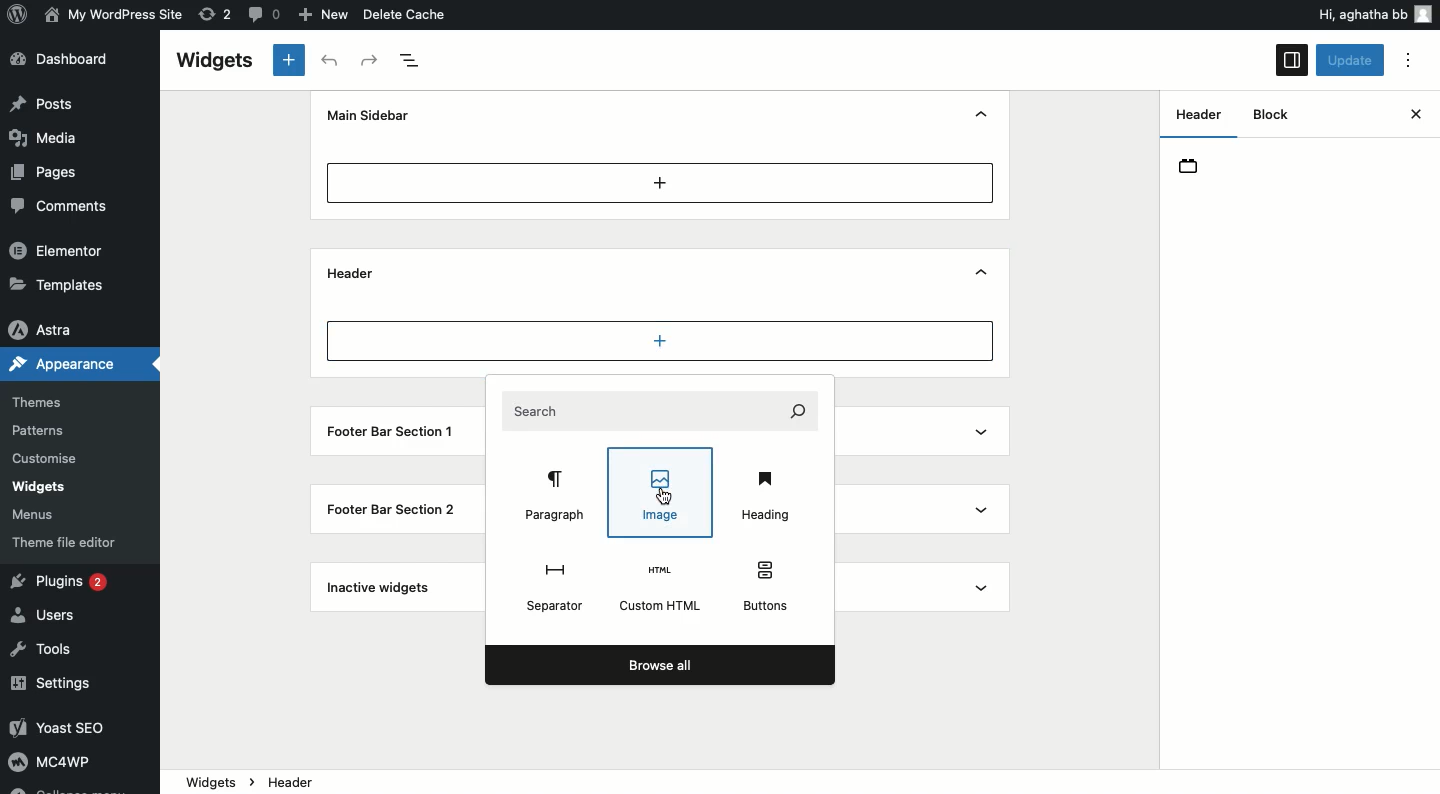 This screenshot has width=1440, height=794. I want to click on Show, so click(982, 275).